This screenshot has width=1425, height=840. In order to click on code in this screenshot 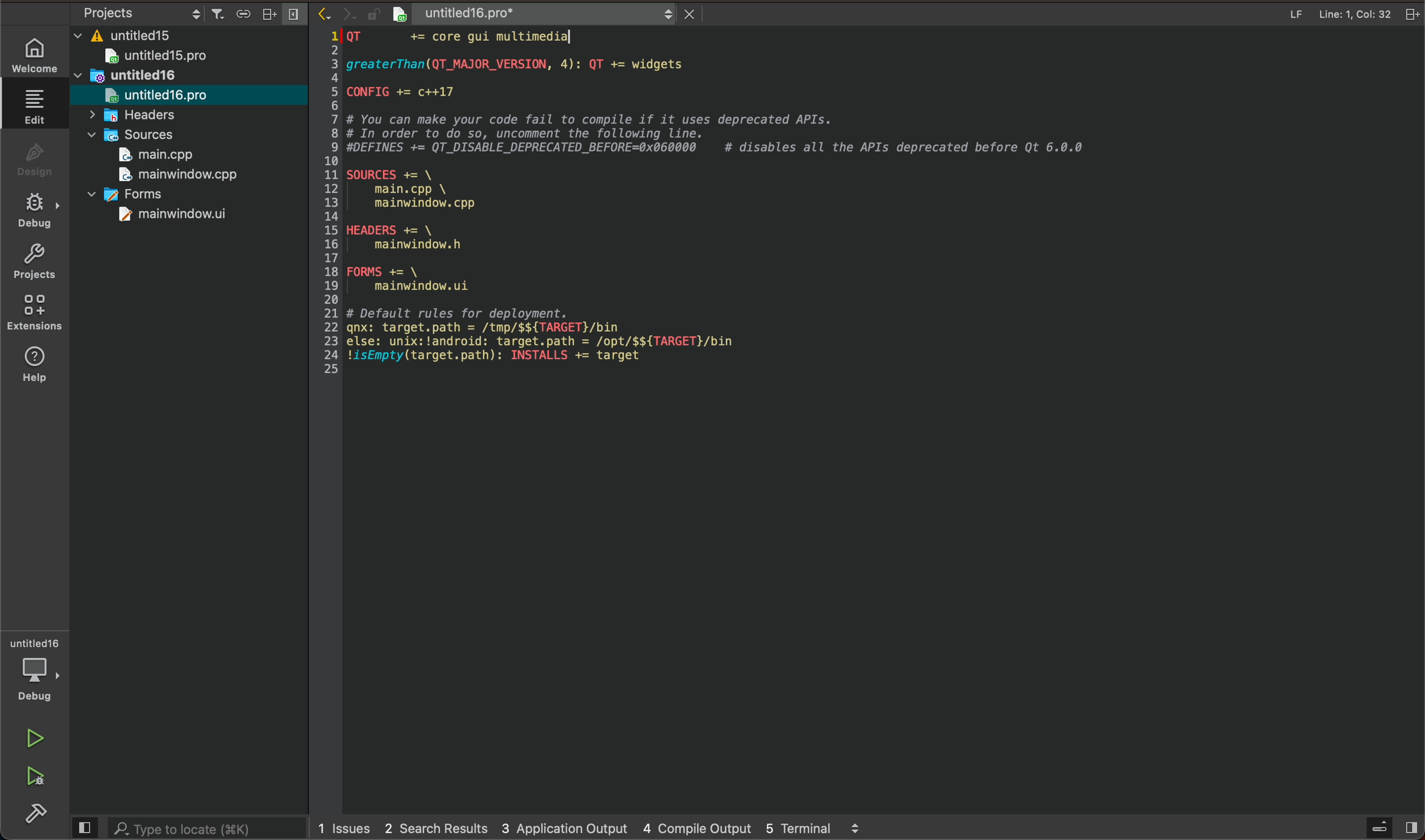, I will do `click(737, 221)`.